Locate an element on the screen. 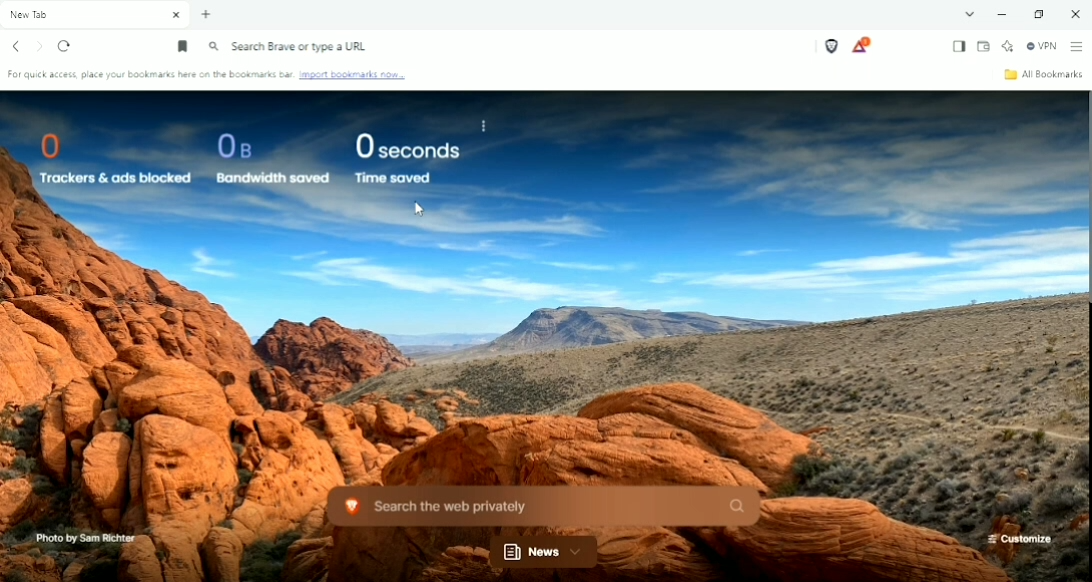  Reload this page is located at coordinates (66, 47).